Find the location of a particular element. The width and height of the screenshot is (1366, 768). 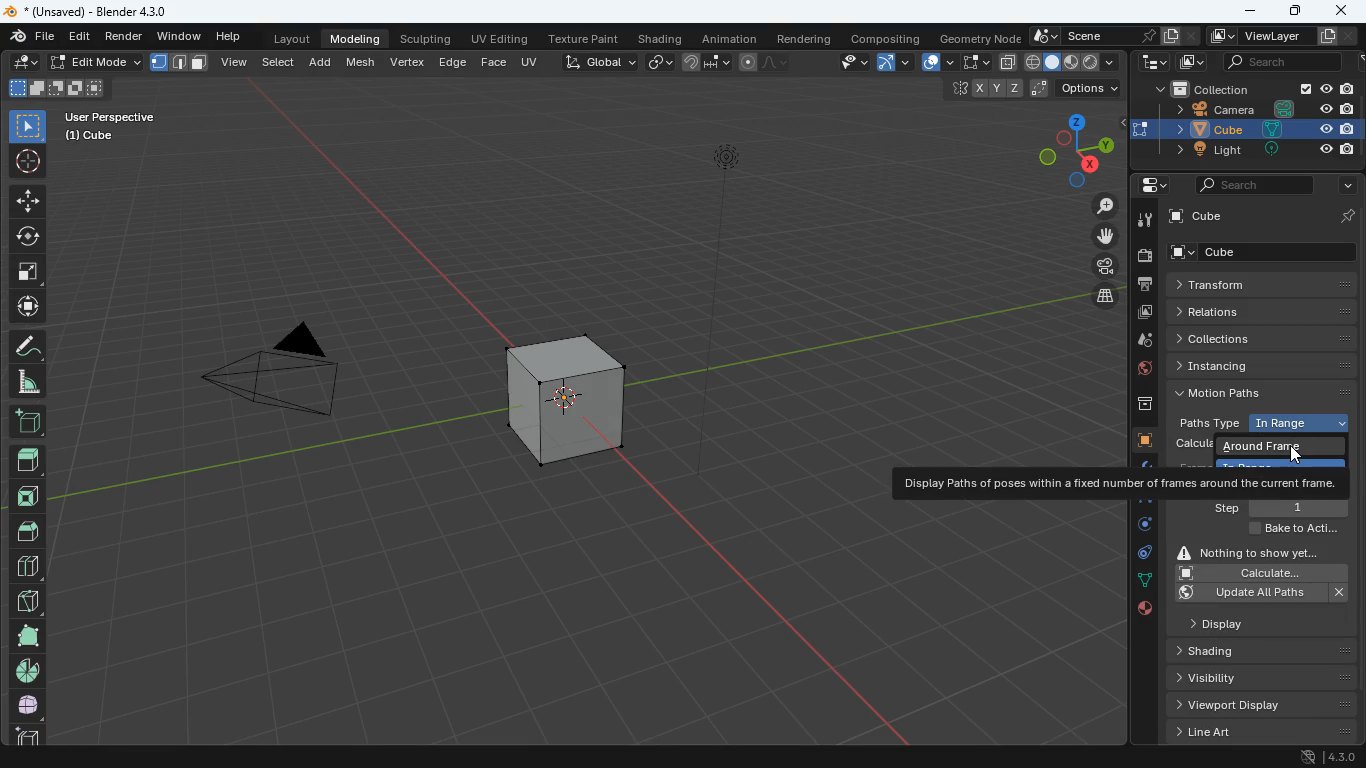

film is located at coordinates (1100, 268).